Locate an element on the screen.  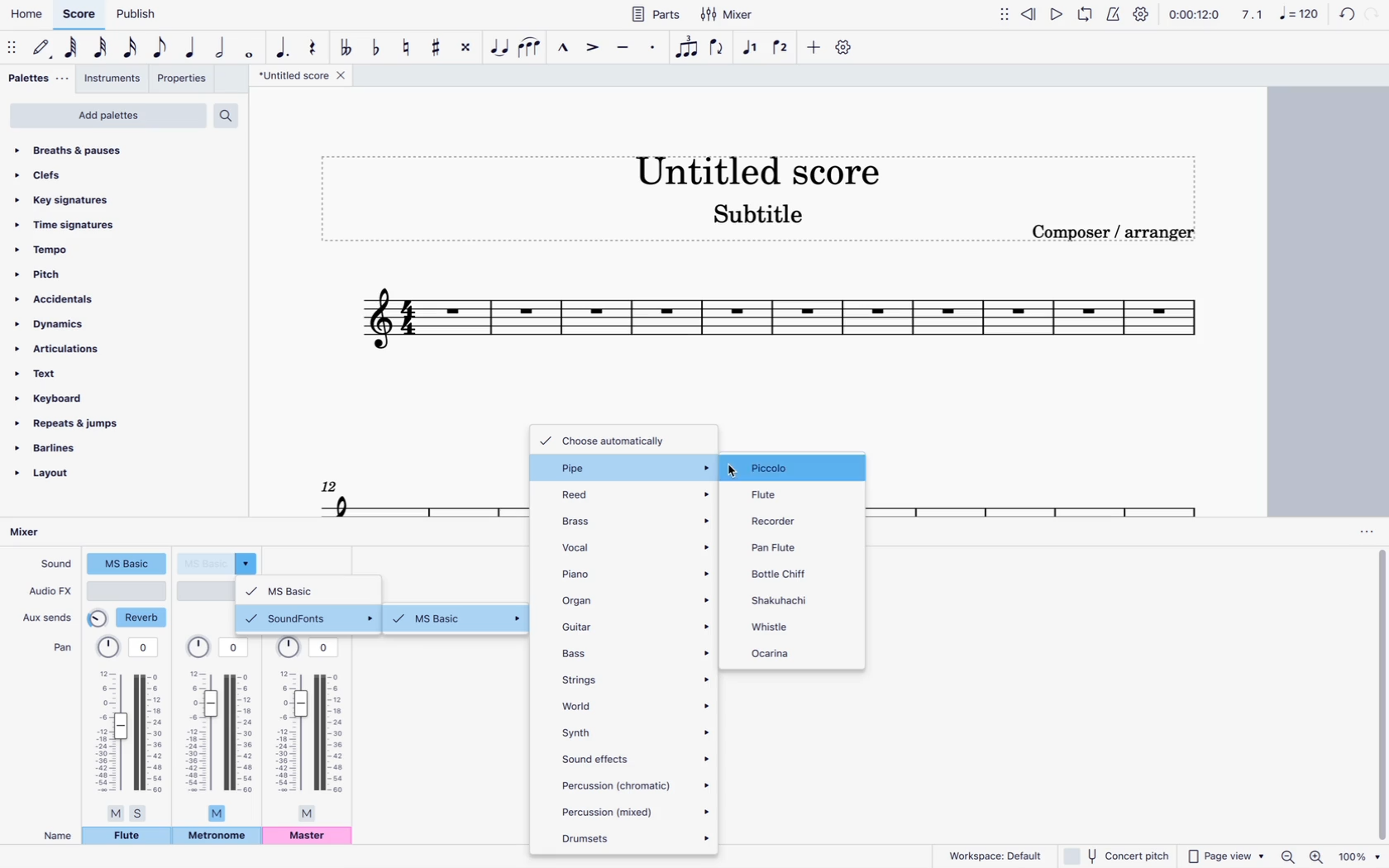
master is located at coordinates (311, 838).